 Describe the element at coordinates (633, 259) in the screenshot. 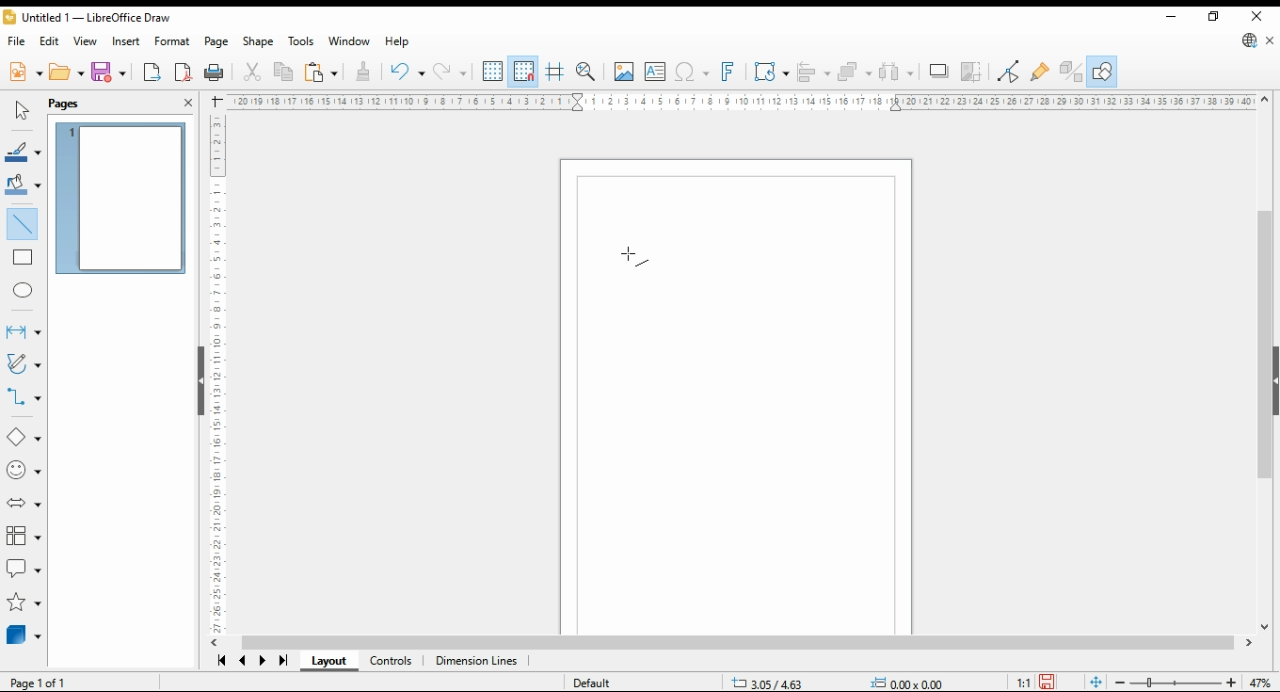

I see `mouse pointer` at that location.